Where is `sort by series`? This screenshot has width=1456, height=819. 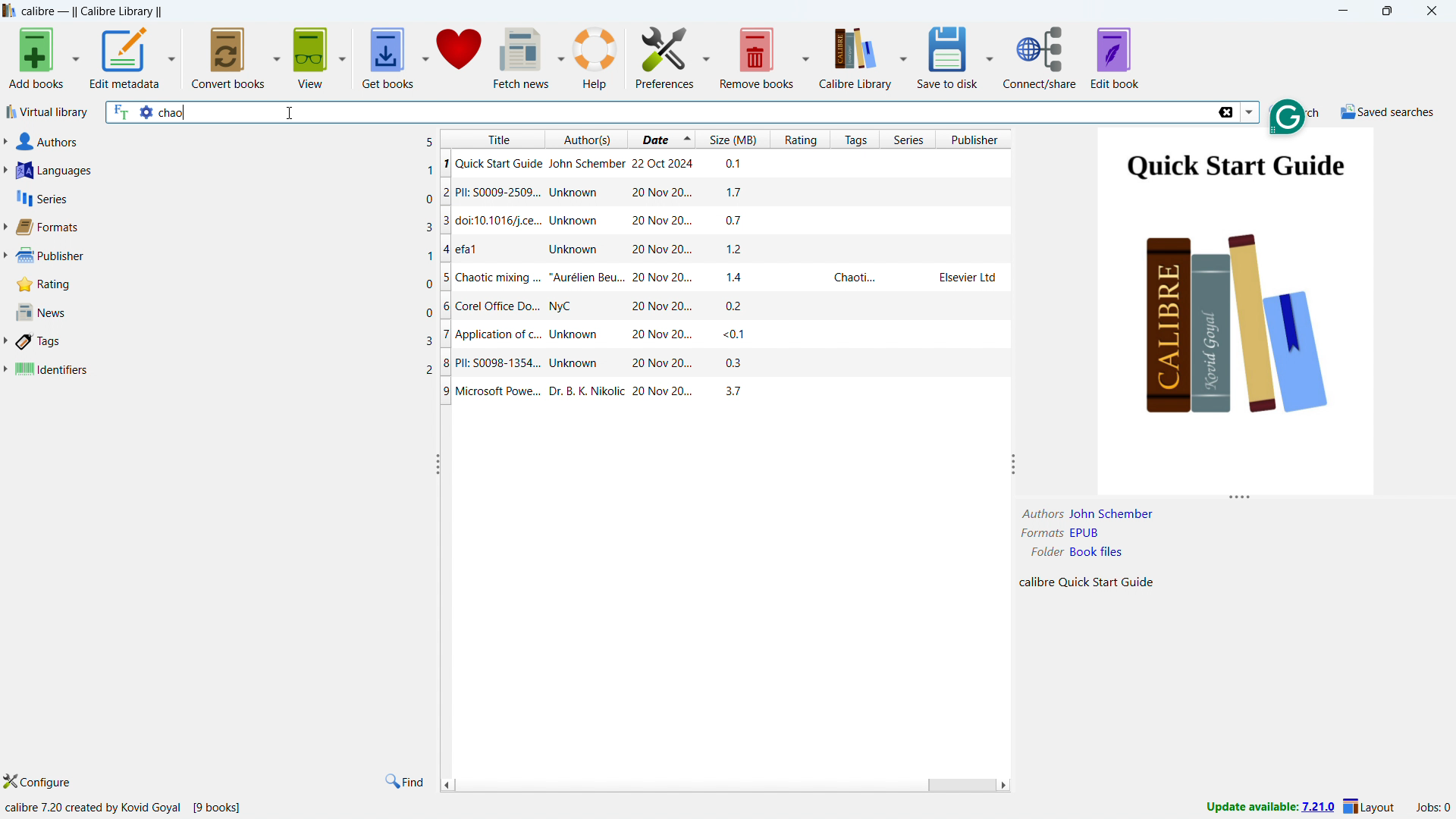
sort by series is located at coordinates (910, 139).